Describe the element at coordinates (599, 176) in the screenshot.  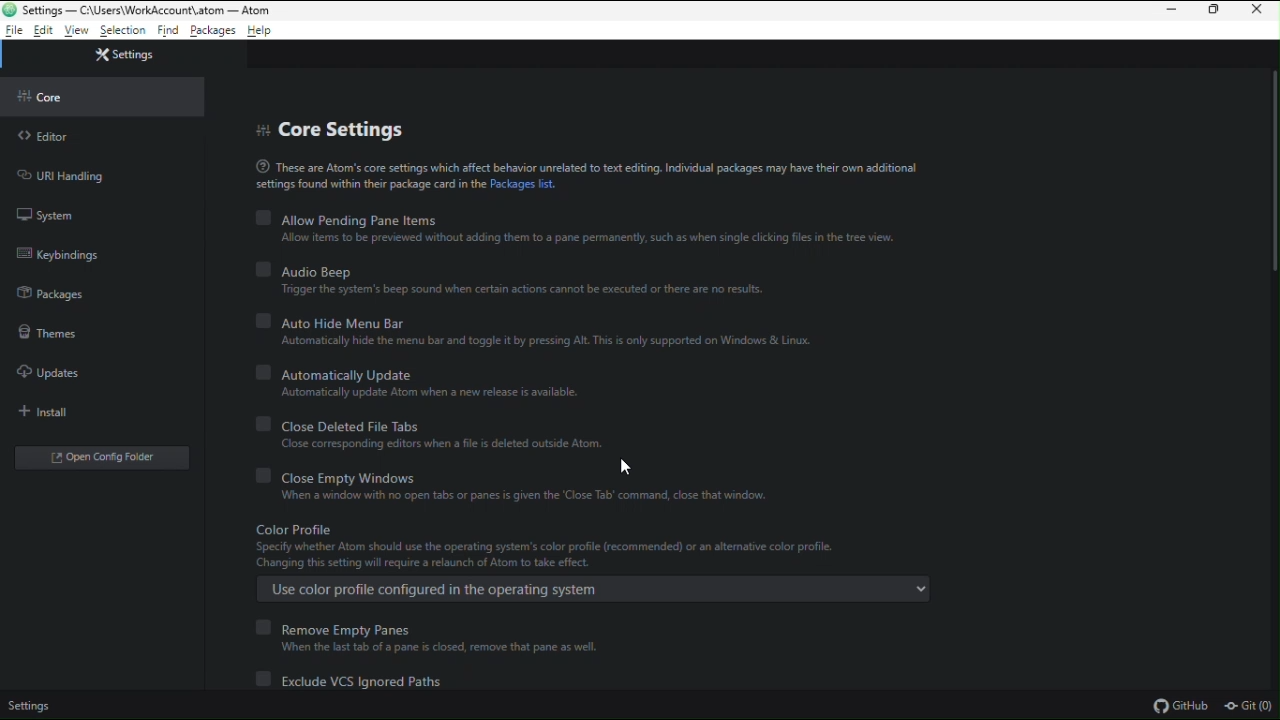
I see `Text` at that location.